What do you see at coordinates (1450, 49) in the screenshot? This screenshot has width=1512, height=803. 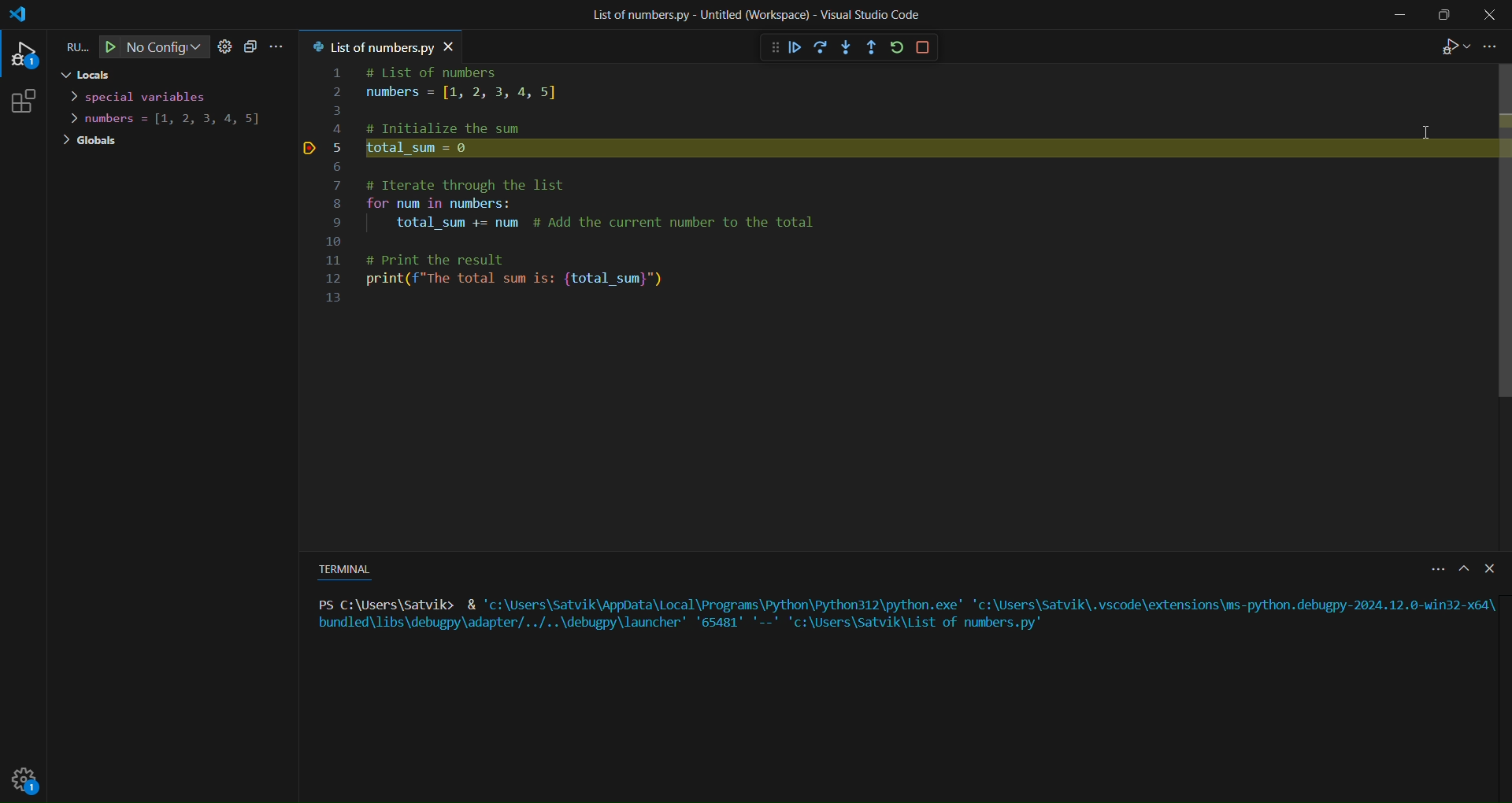 I see `run or debug` at bounding box center [1450, 49].